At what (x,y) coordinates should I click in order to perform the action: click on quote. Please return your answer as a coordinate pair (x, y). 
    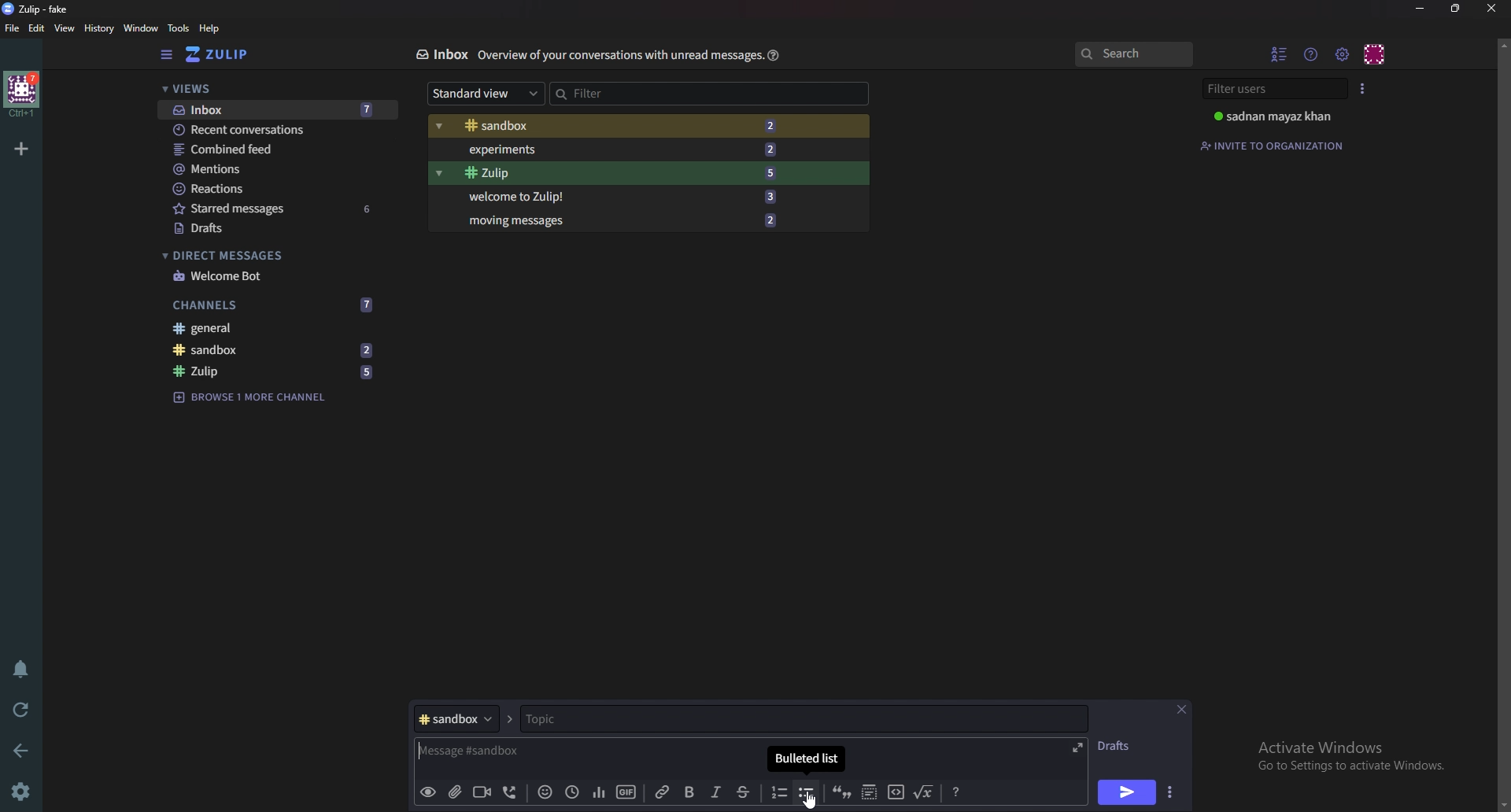
    Looking at the image, I should click on (840, 791).